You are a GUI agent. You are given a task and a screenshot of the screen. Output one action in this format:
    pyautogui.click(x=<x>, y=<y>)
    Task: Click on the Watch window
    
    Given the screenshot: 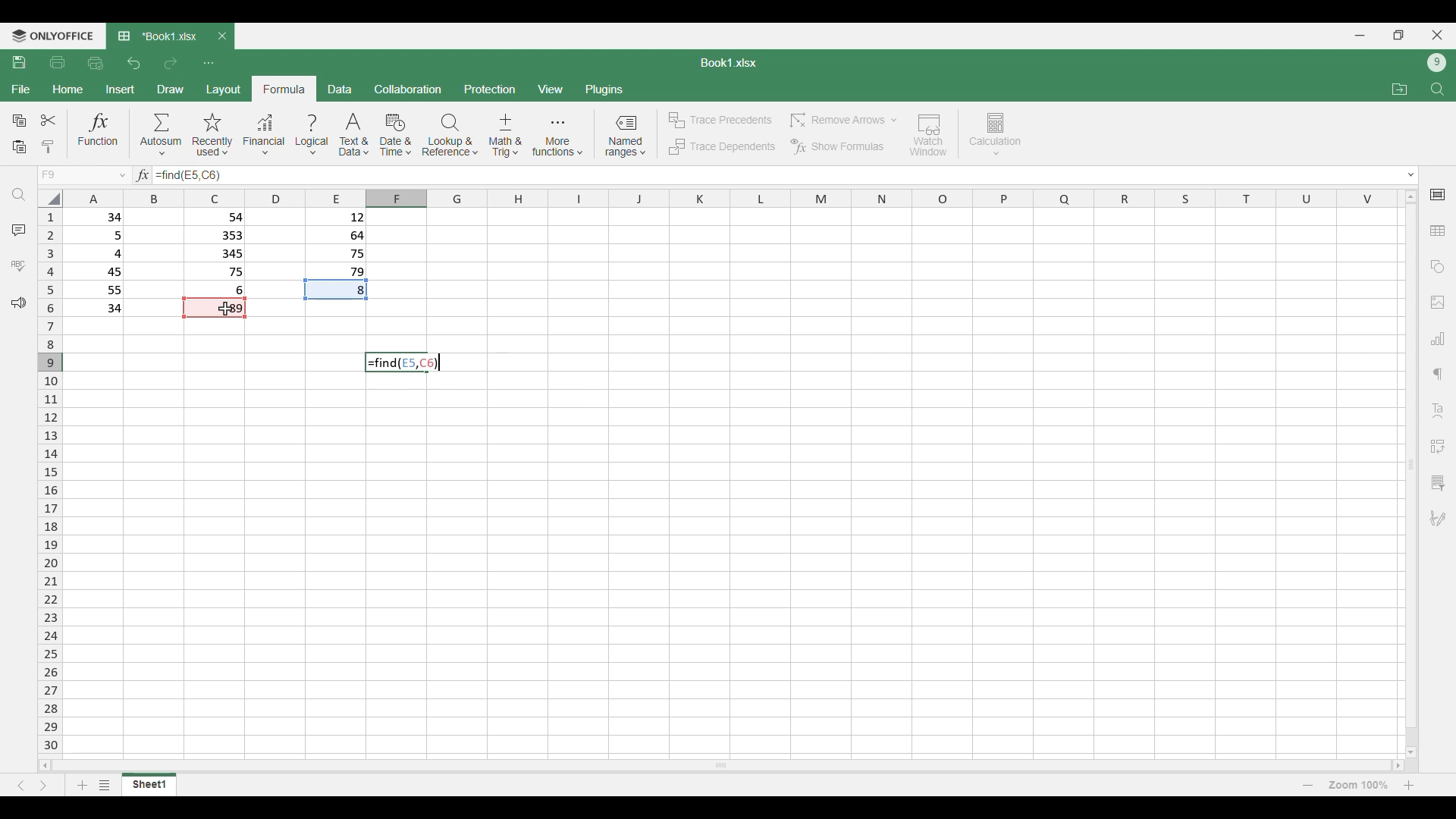 What is the action you would take?
    pyautogui.click(x=929, y=135)
    